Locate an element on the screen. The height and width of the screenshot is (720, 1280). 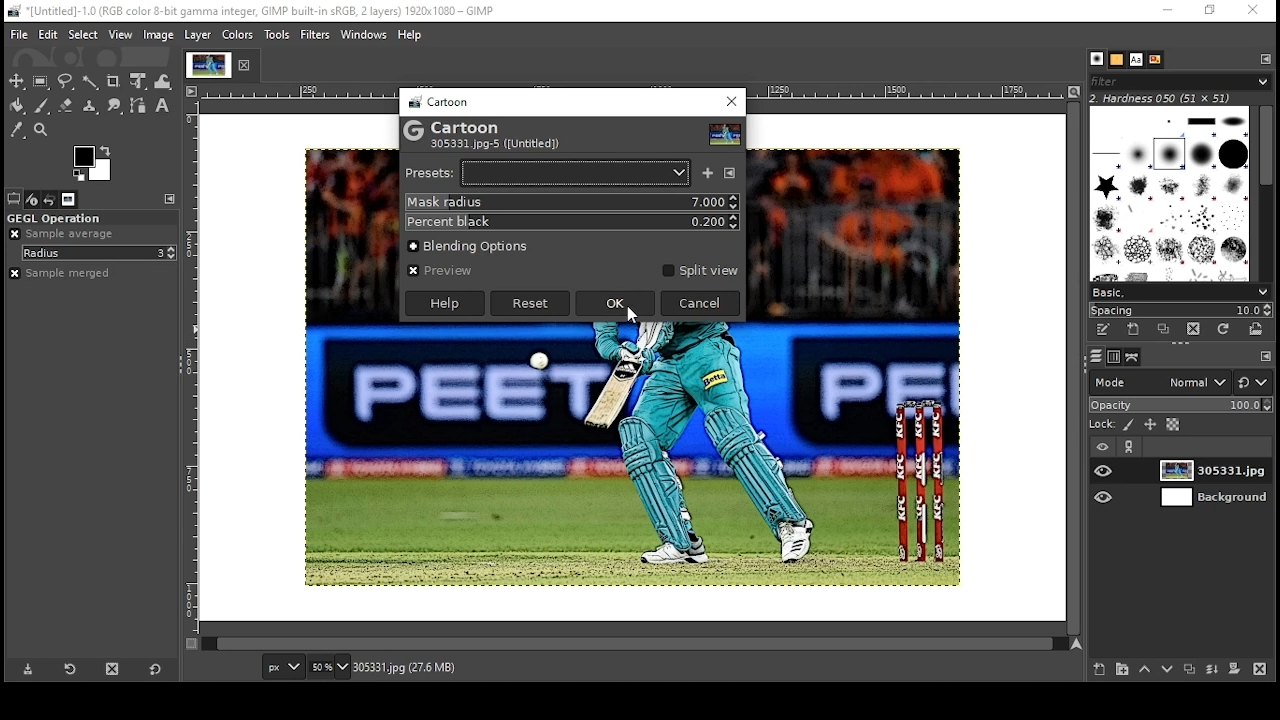
create new layer is located at coordinates (1100, 670).